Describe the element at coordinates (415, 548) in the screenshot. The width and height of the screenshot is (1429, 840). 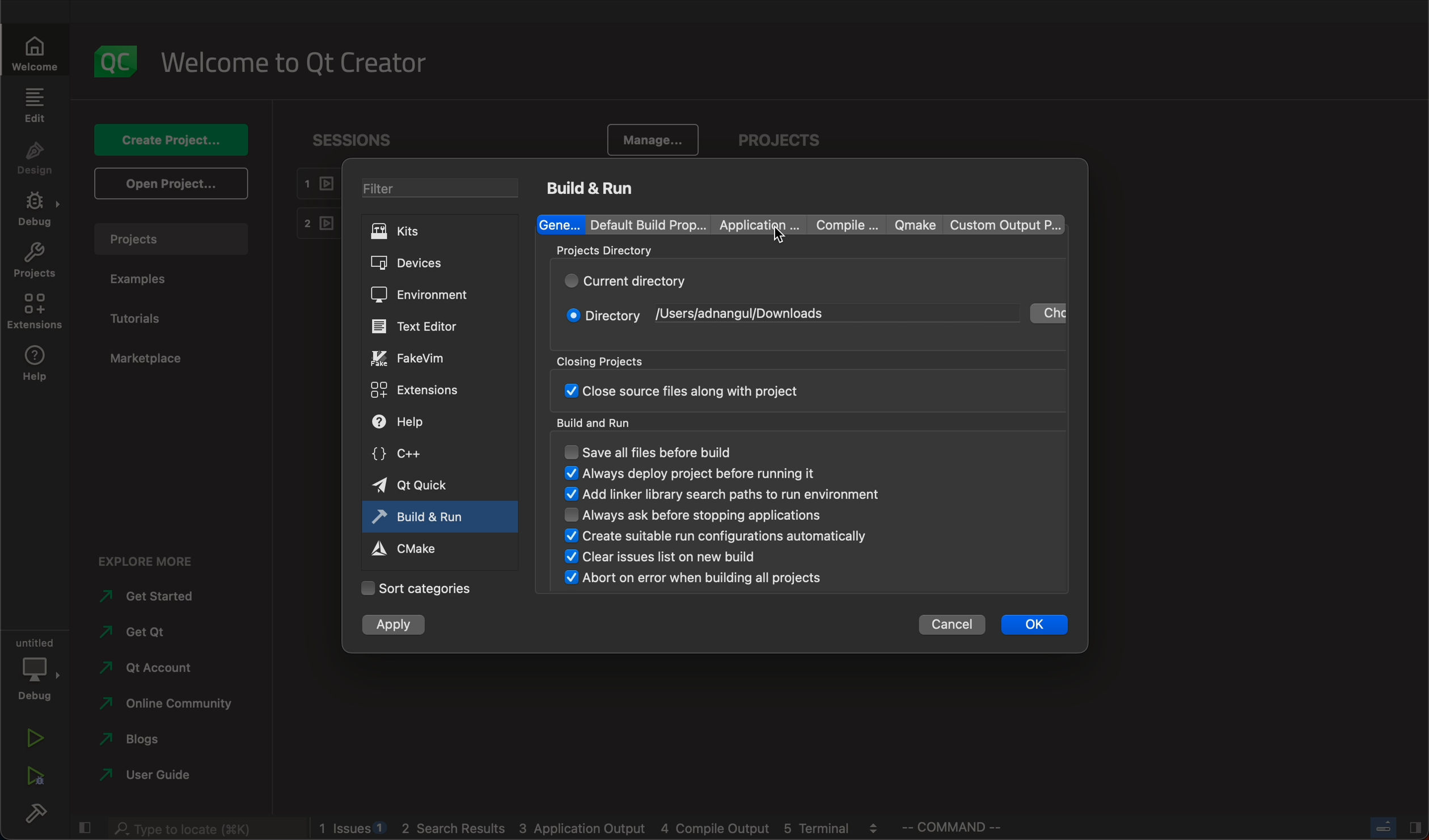
I see `cmake` at that location.